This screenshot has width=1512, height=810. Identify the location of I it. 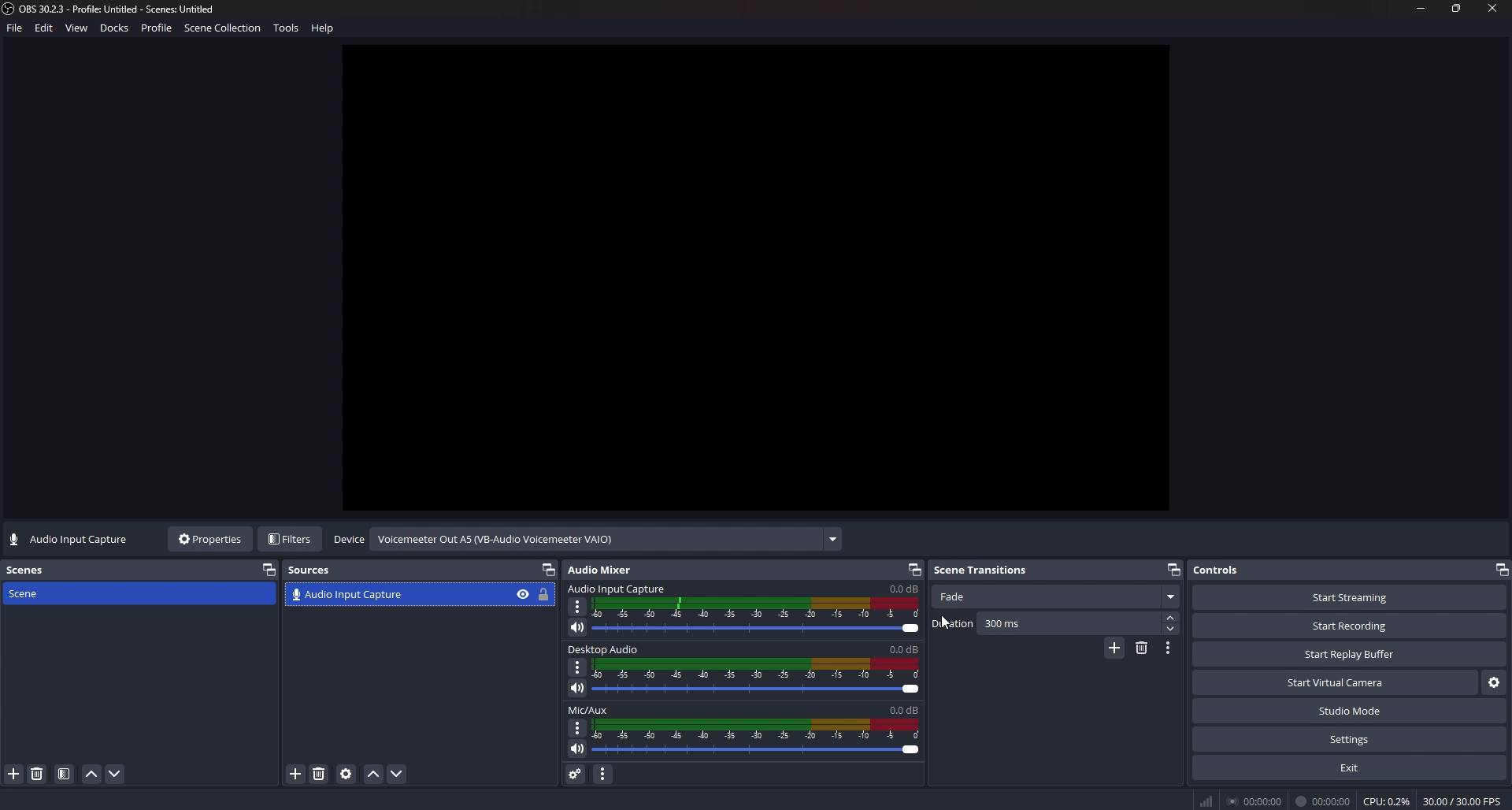
(1325, 801).